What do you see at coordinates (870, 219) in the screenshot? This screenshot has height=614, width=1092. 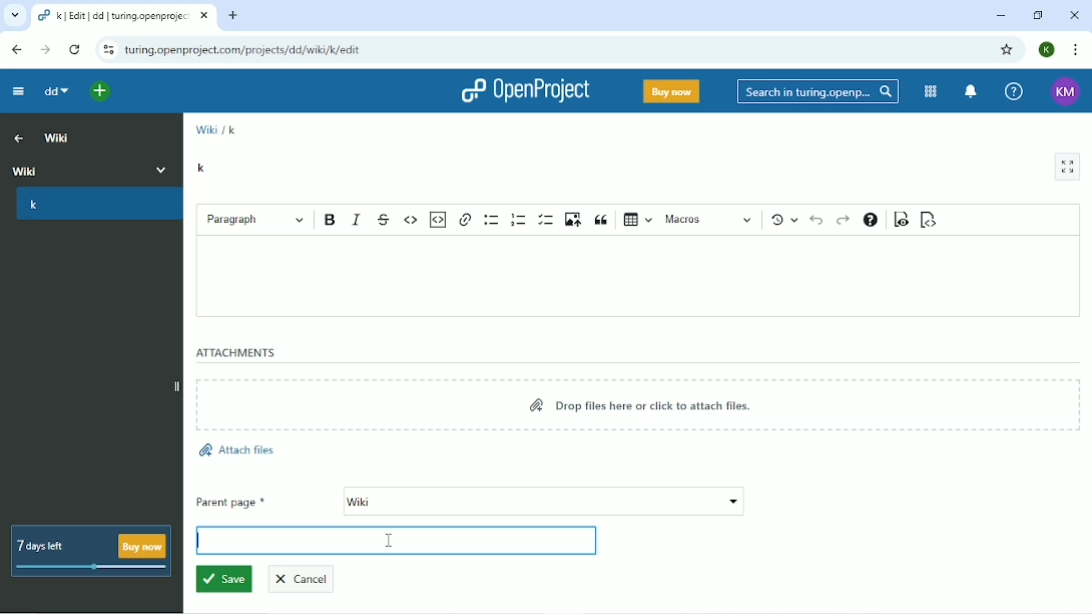 I see `Text formatting help` at bounding box center [870, 219].